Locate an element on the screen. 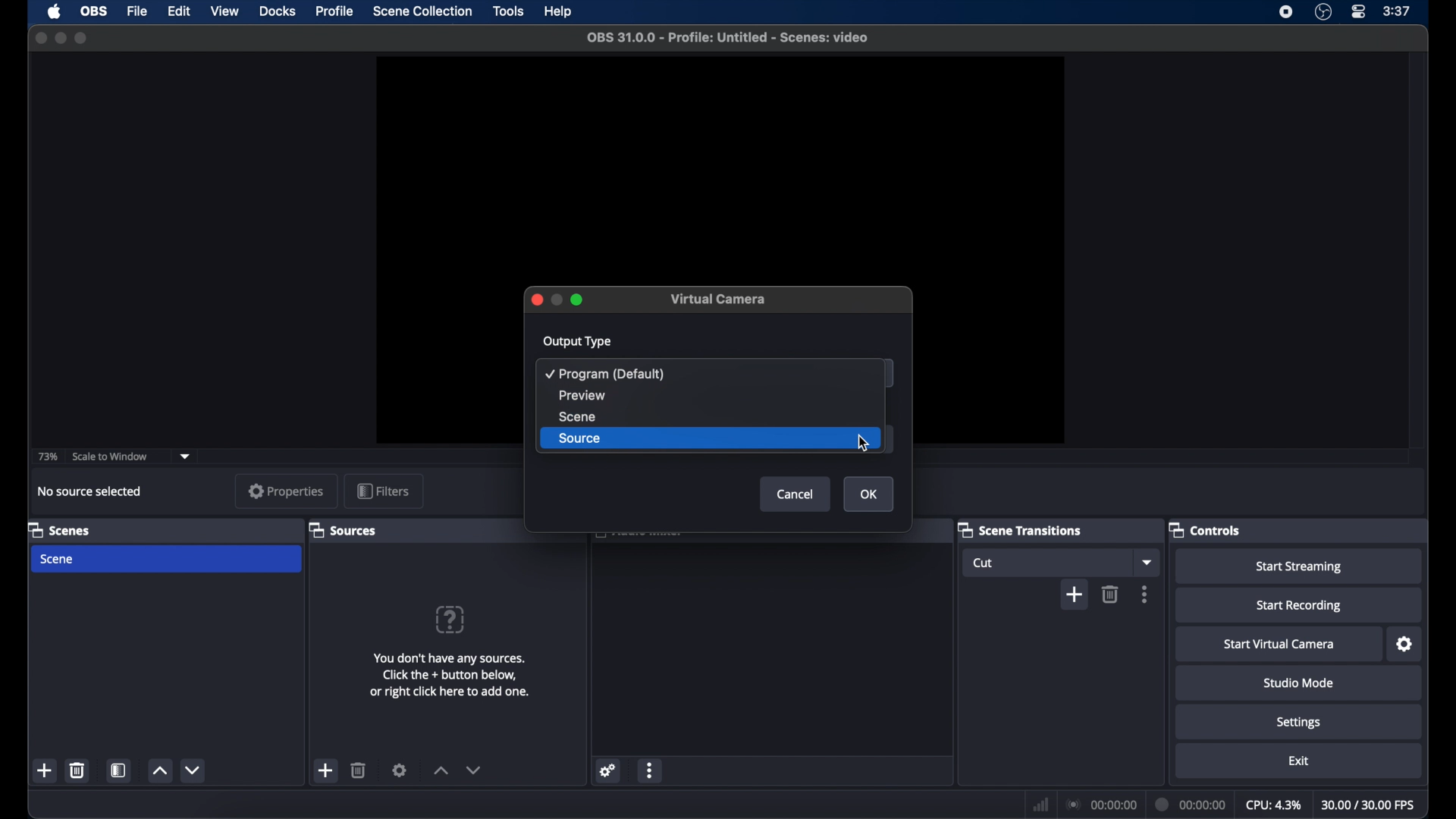 Image resolution: width=1456 pixels, height=819 pixels. netwrok is located at coordinates (1039, 803).